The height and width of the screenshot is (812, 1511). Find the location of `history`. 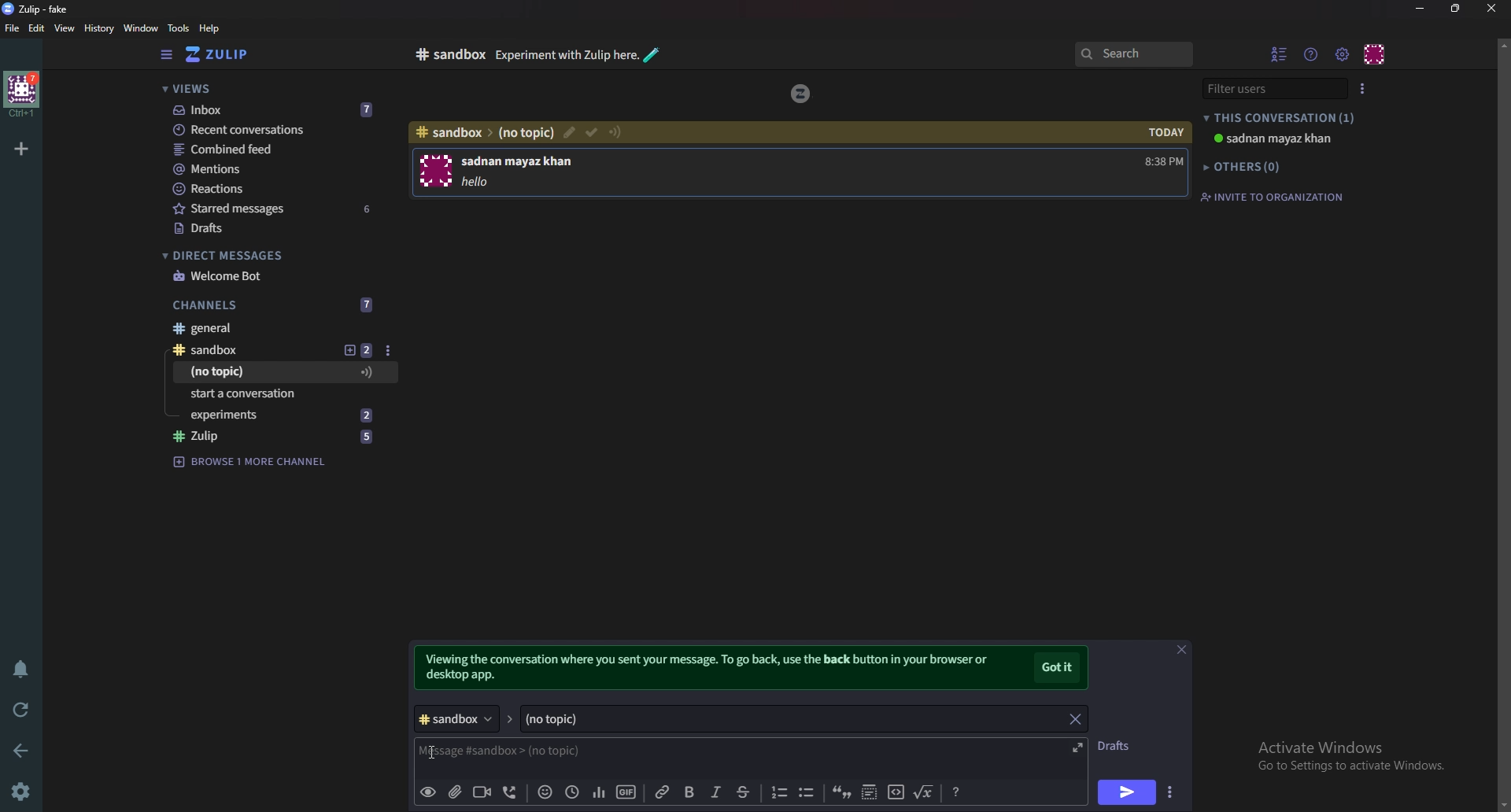

history is located at coordinates (98, 28).